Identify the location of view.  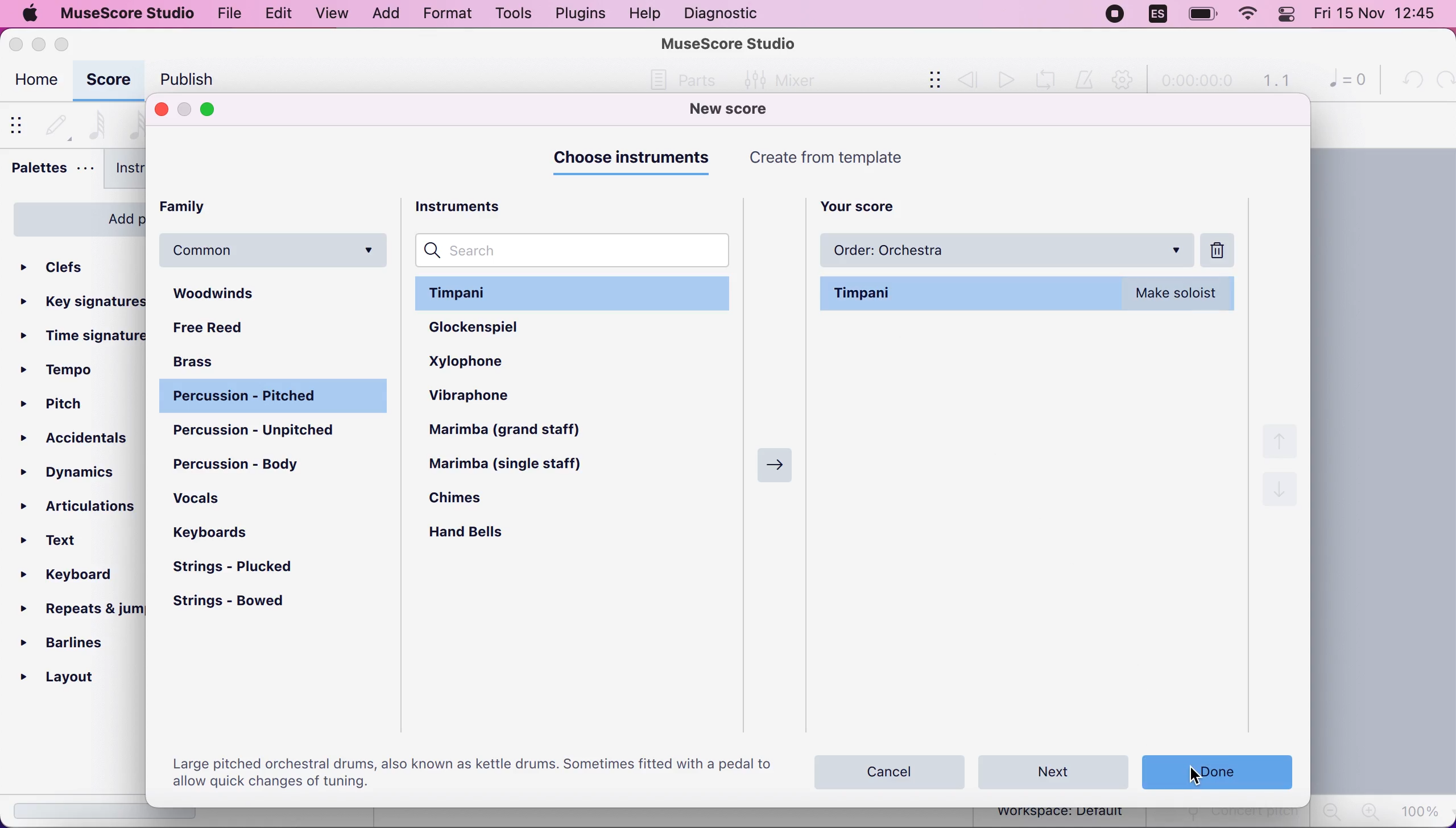
(331, 14).